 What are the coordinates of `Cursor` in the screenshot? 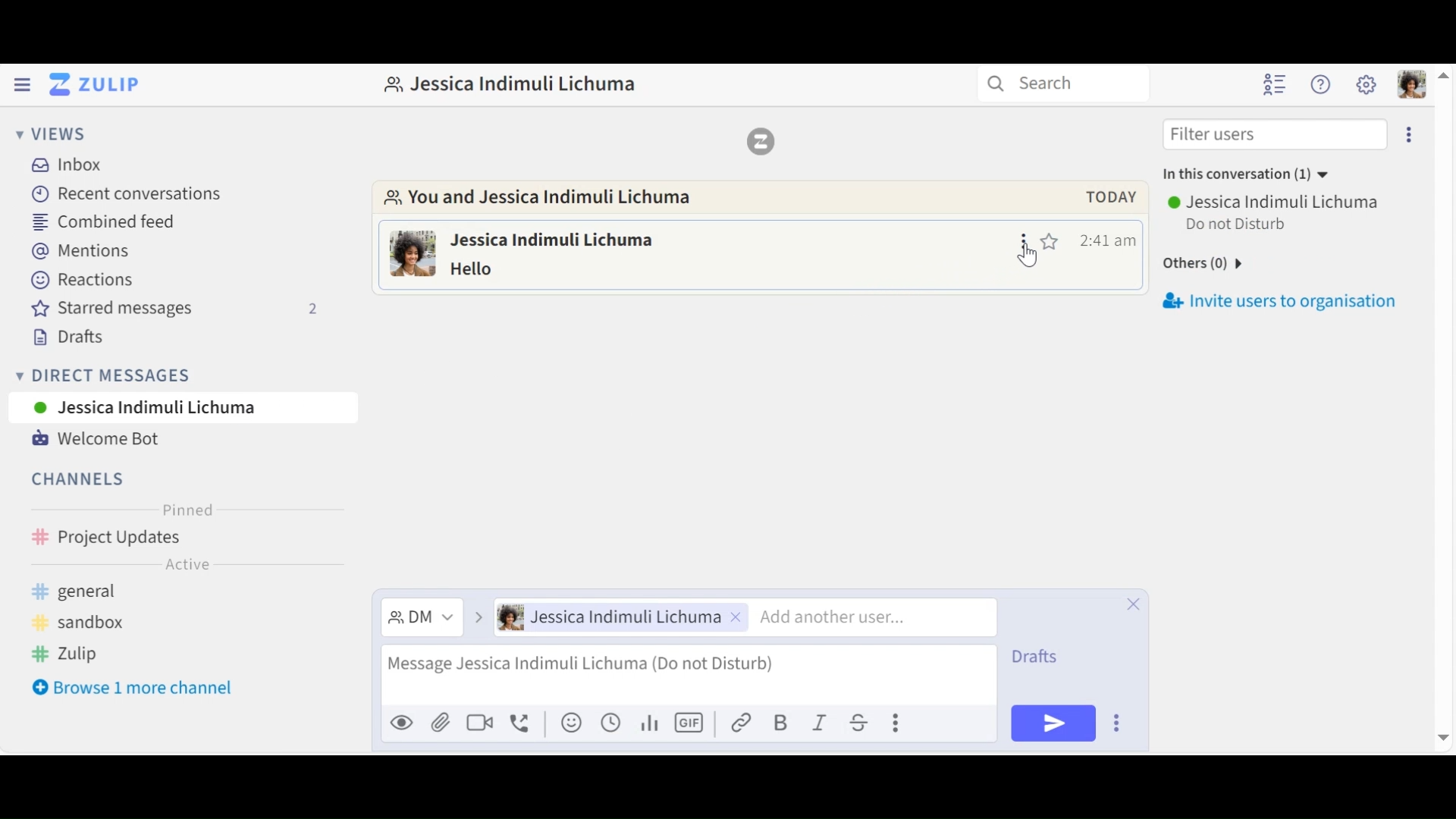 It's located at (1030, 260).